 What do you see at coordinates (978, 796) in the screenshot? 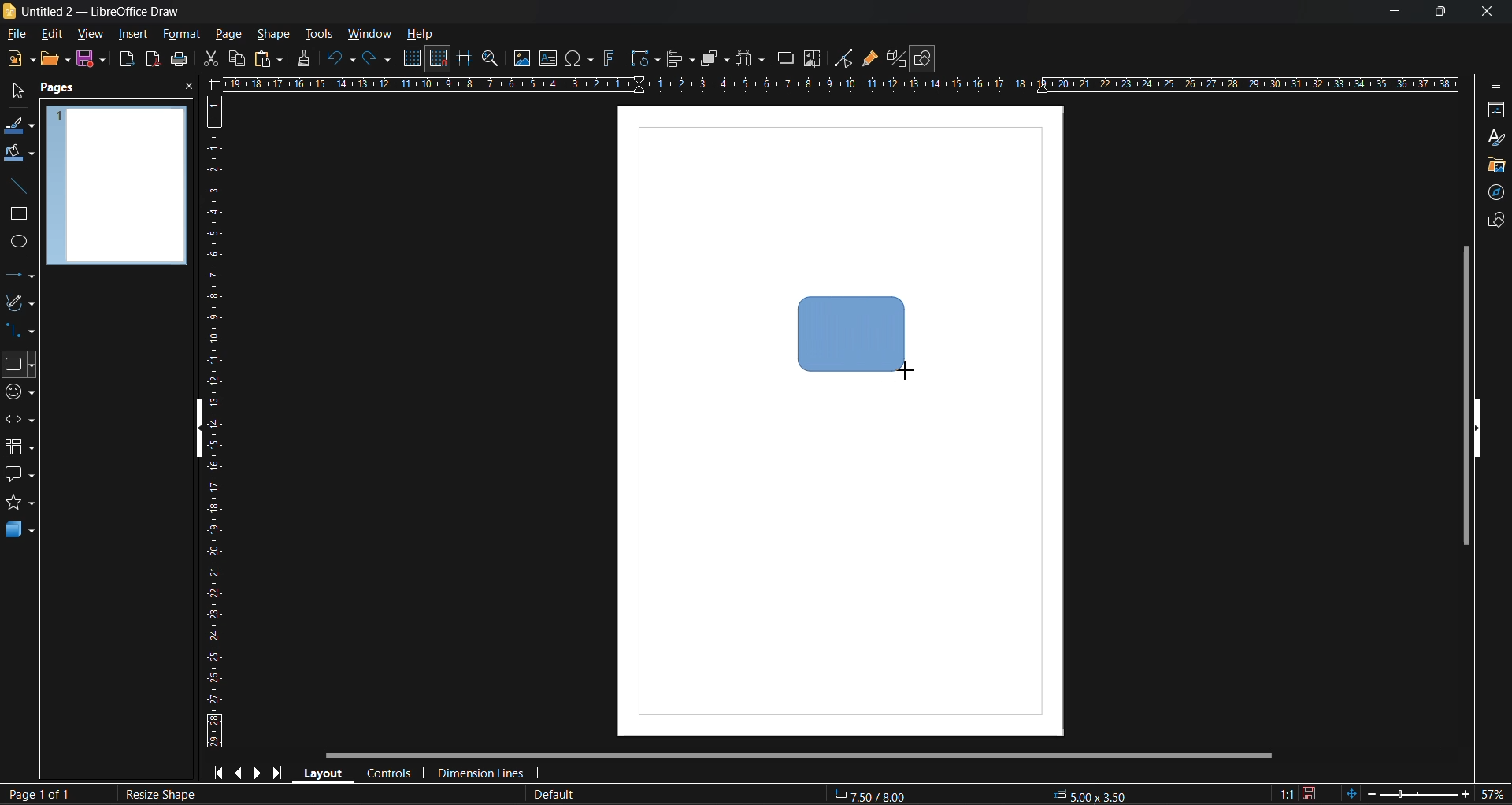
I see `coordinates` at bounding box center [978, 796].